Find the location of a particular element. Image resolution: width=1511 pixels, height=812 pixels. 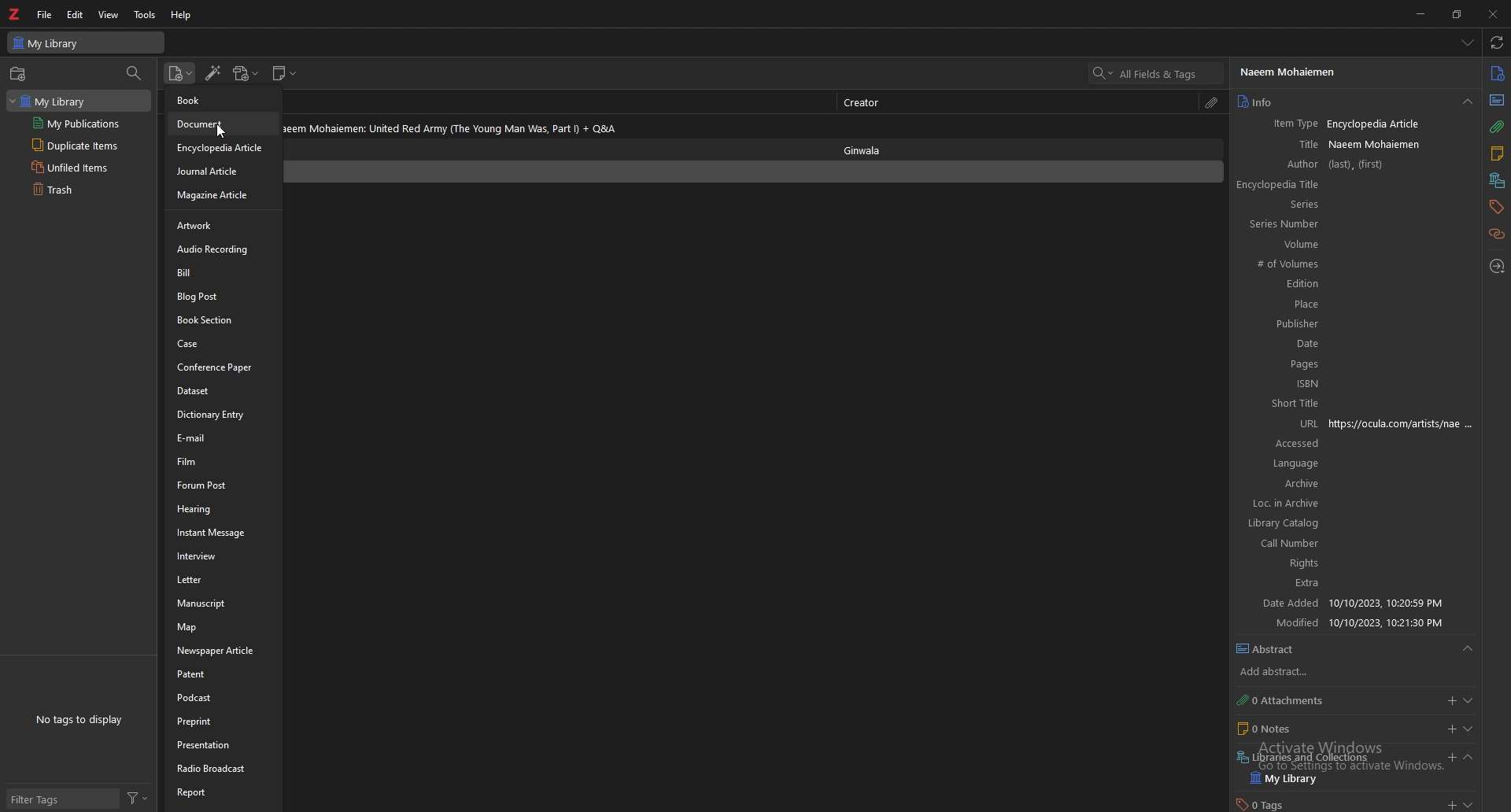

dictionary entry is located at coordinates (222, 415).